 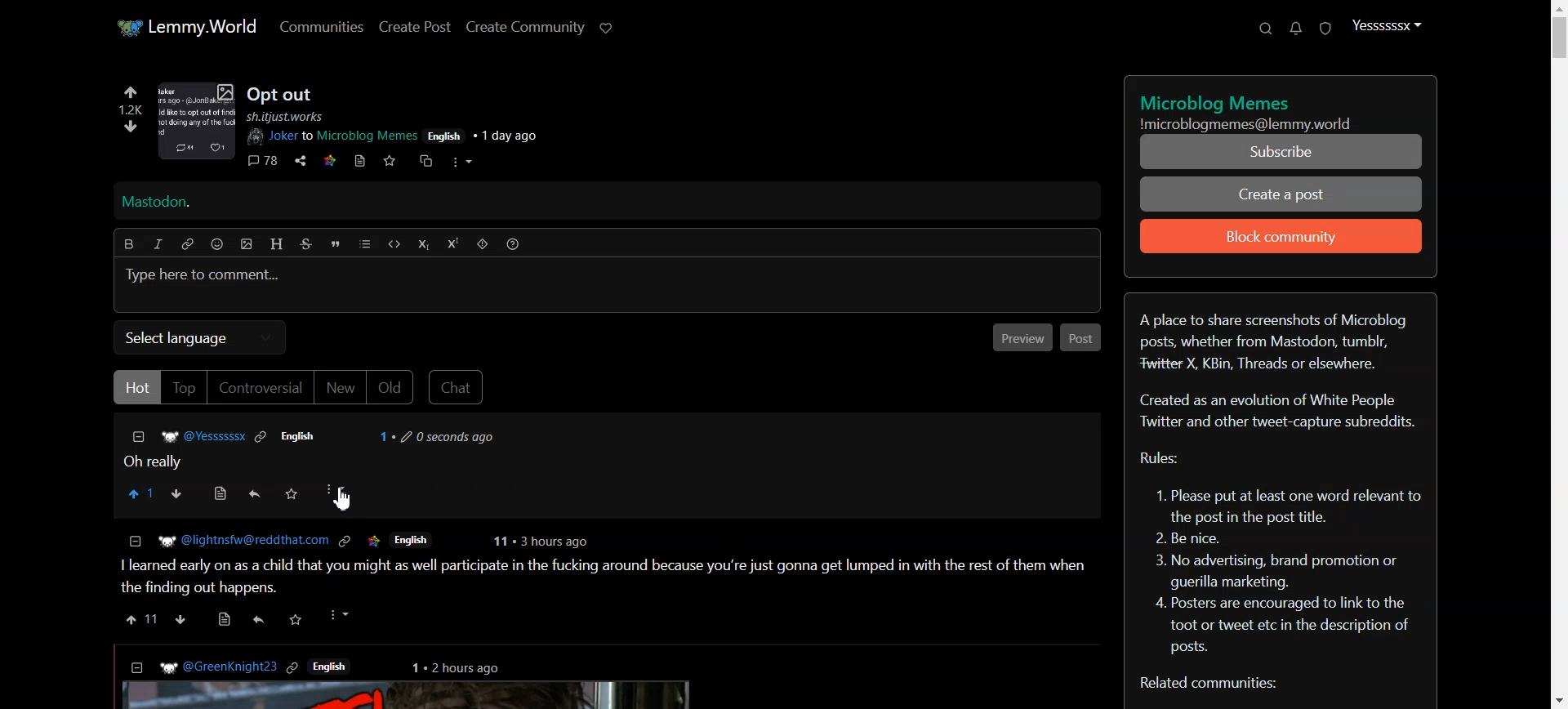 I want to click on comments, so click(x=263, y=161).